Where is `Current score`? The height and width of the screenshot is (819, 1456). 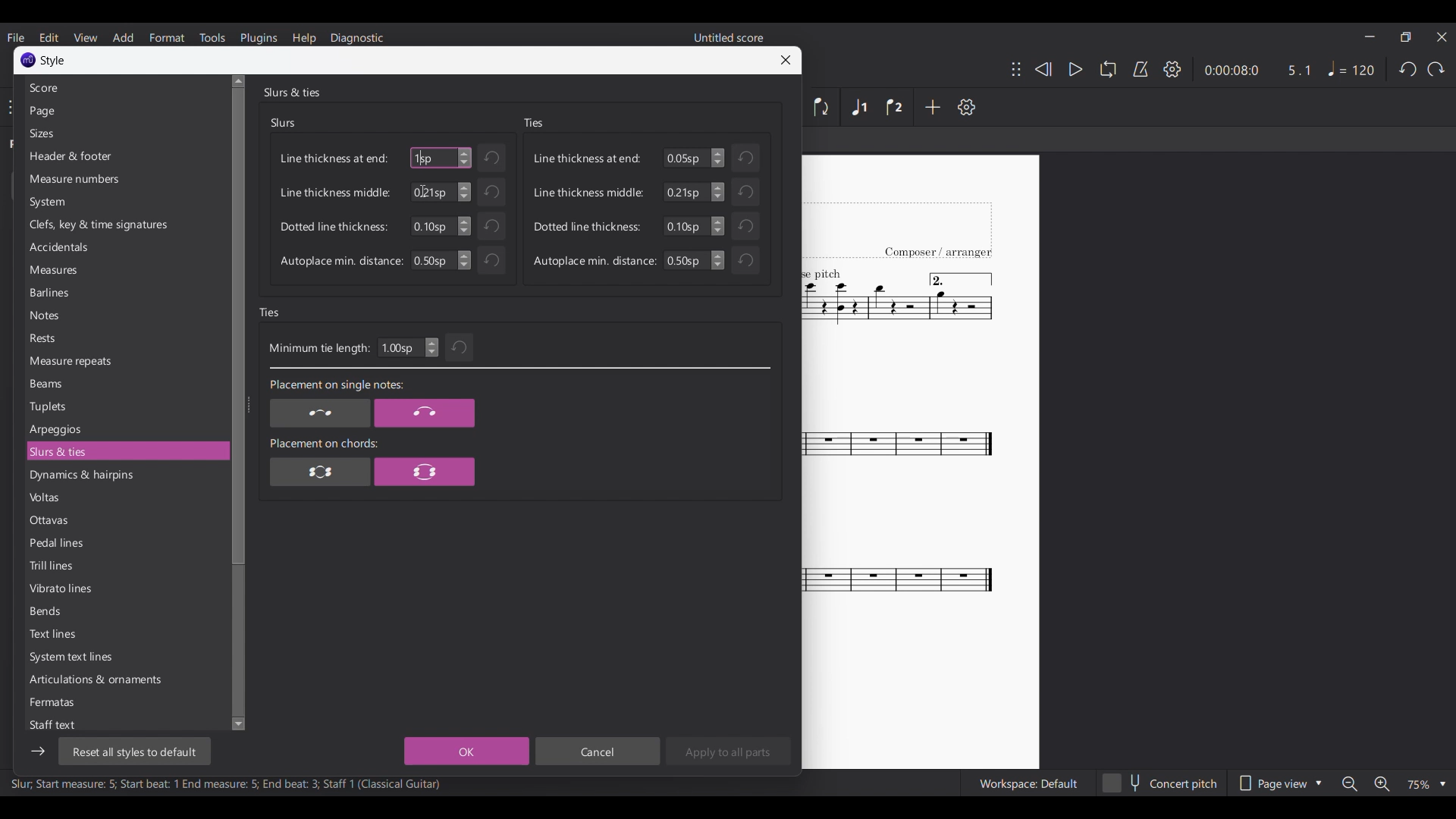 Current score is located at coordinates (899, 463).